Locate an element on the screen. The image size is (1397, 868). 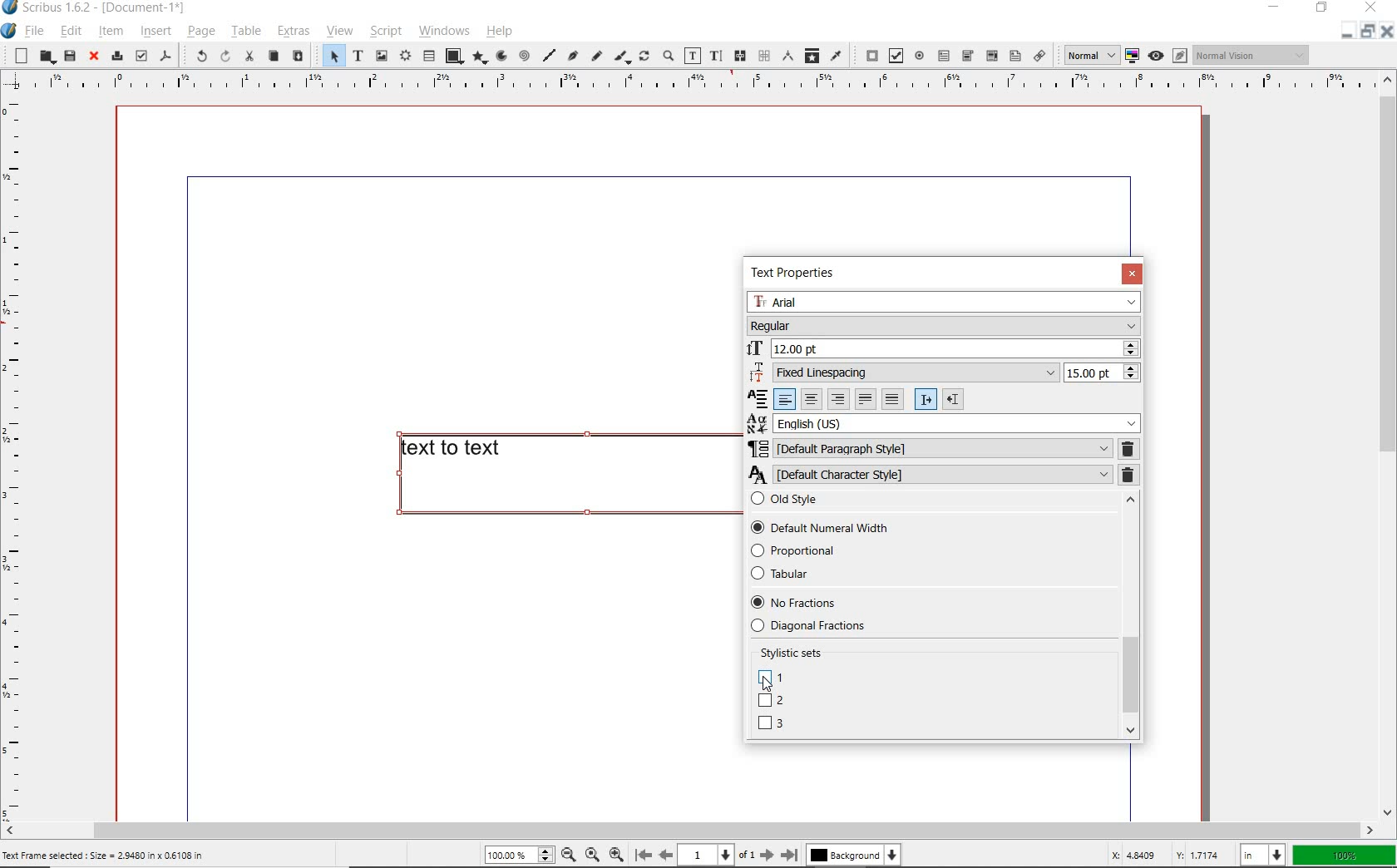
Close is located at coordinates (1385, 33).